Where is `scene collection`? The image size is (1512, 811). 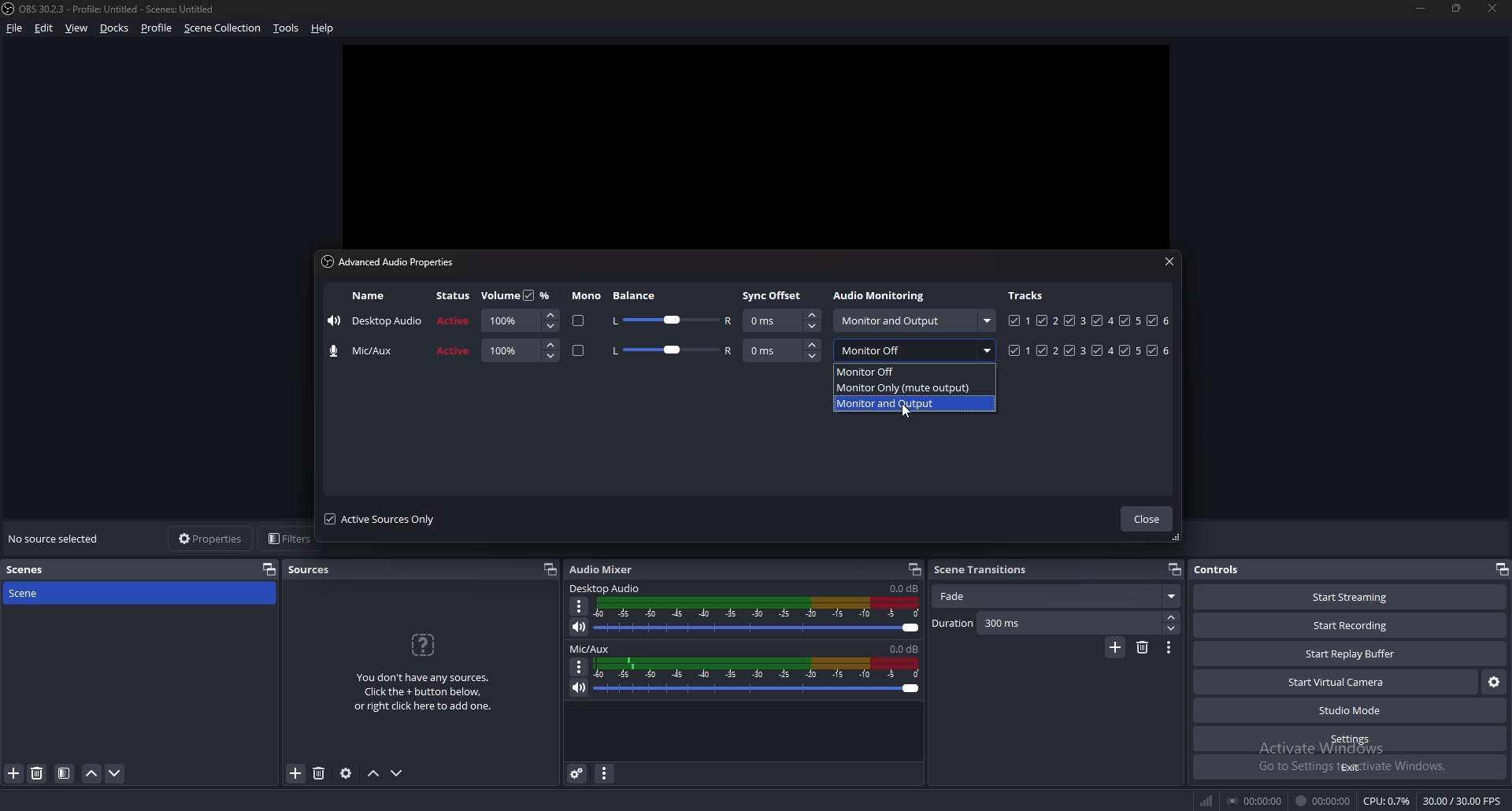 scene collection is located at coordinates (222, 28).